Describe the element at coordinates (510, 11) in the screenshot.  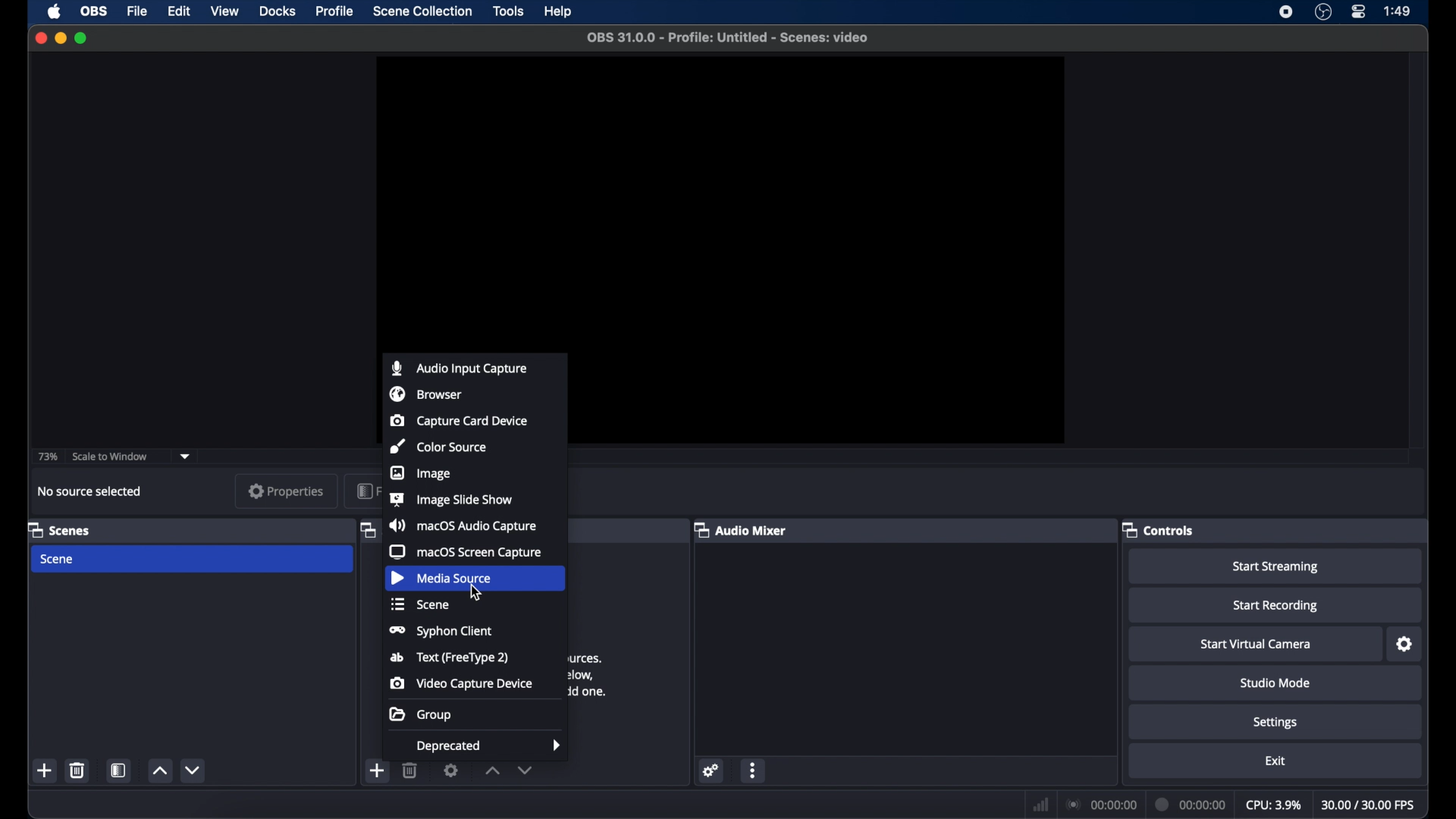
I see `tools` at that location.